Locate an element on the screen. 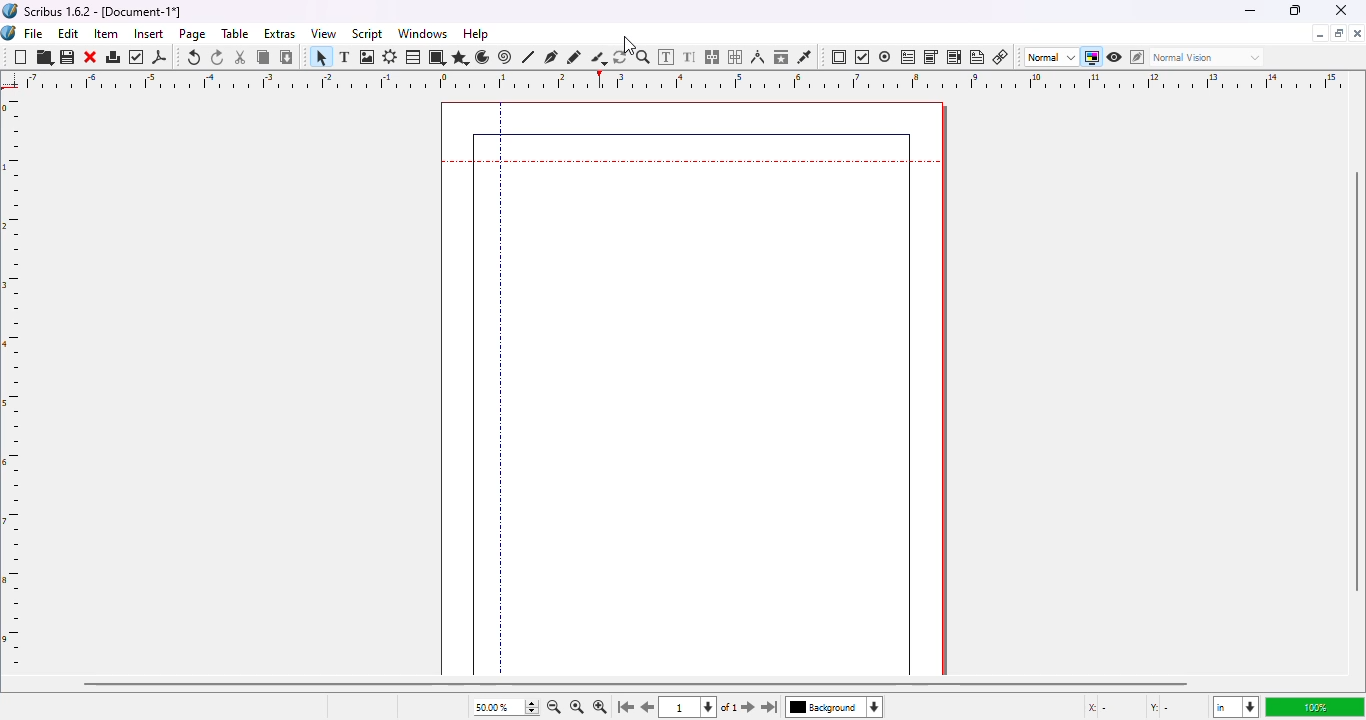 This screenshot has height=720, width=1366. export as PDF is located at coordinates (160, 57).